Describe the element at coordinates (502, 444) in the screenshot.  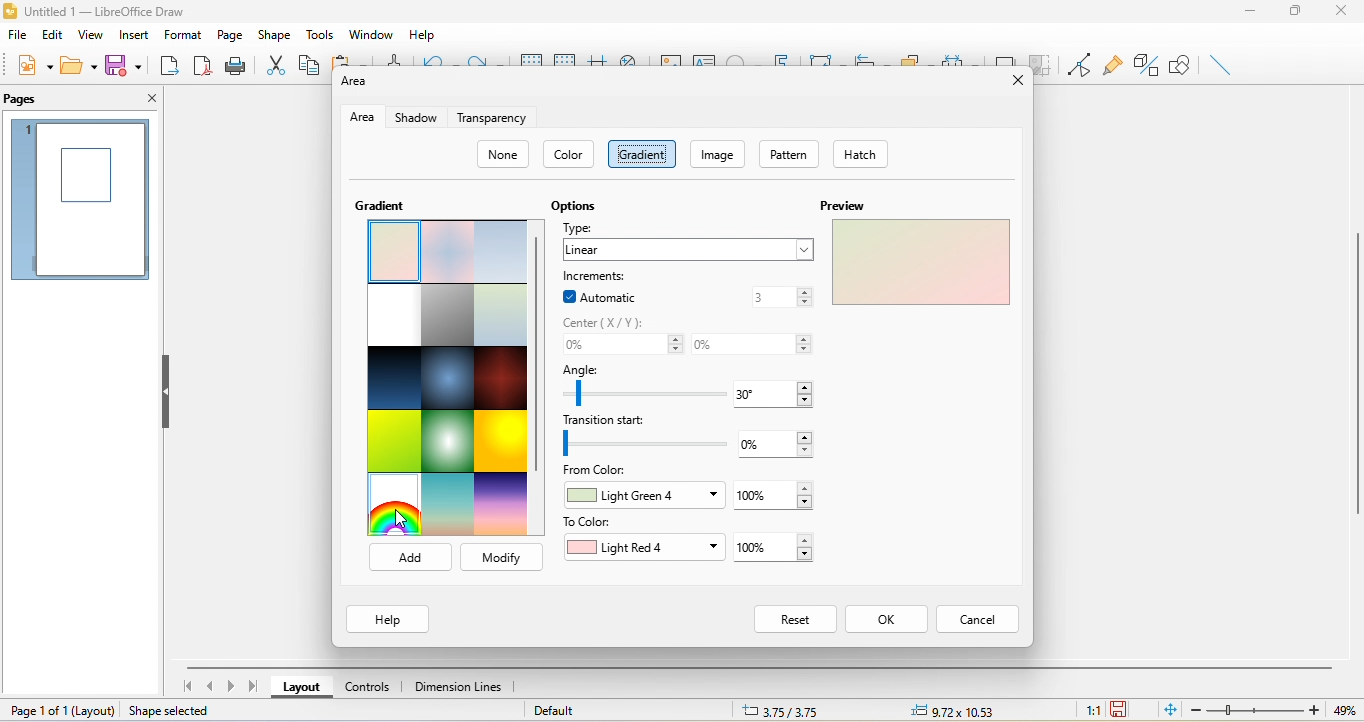
I see `sunshine` at that location.